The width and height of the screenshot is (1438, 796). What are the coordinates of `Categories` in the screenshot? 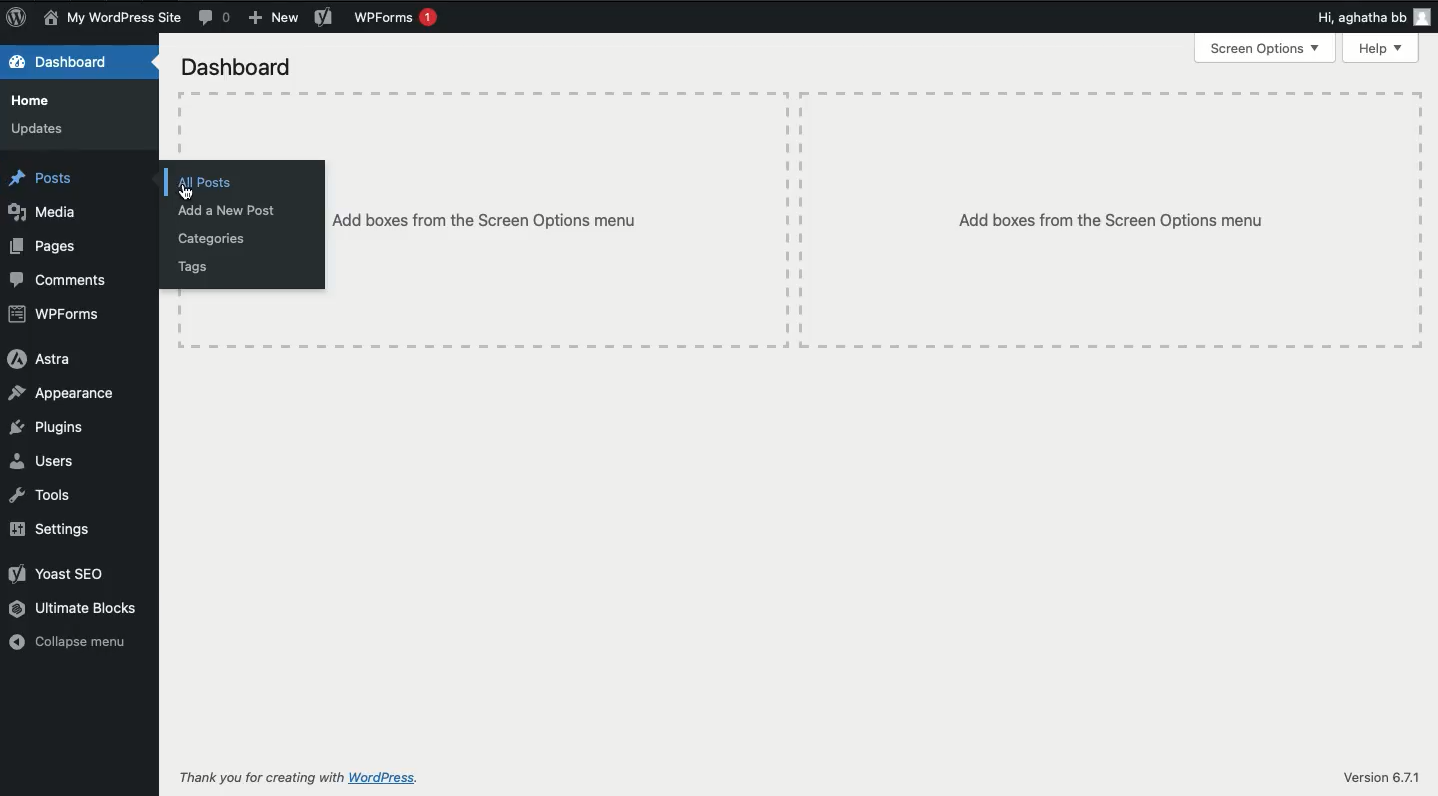 It's located at (215, 238).